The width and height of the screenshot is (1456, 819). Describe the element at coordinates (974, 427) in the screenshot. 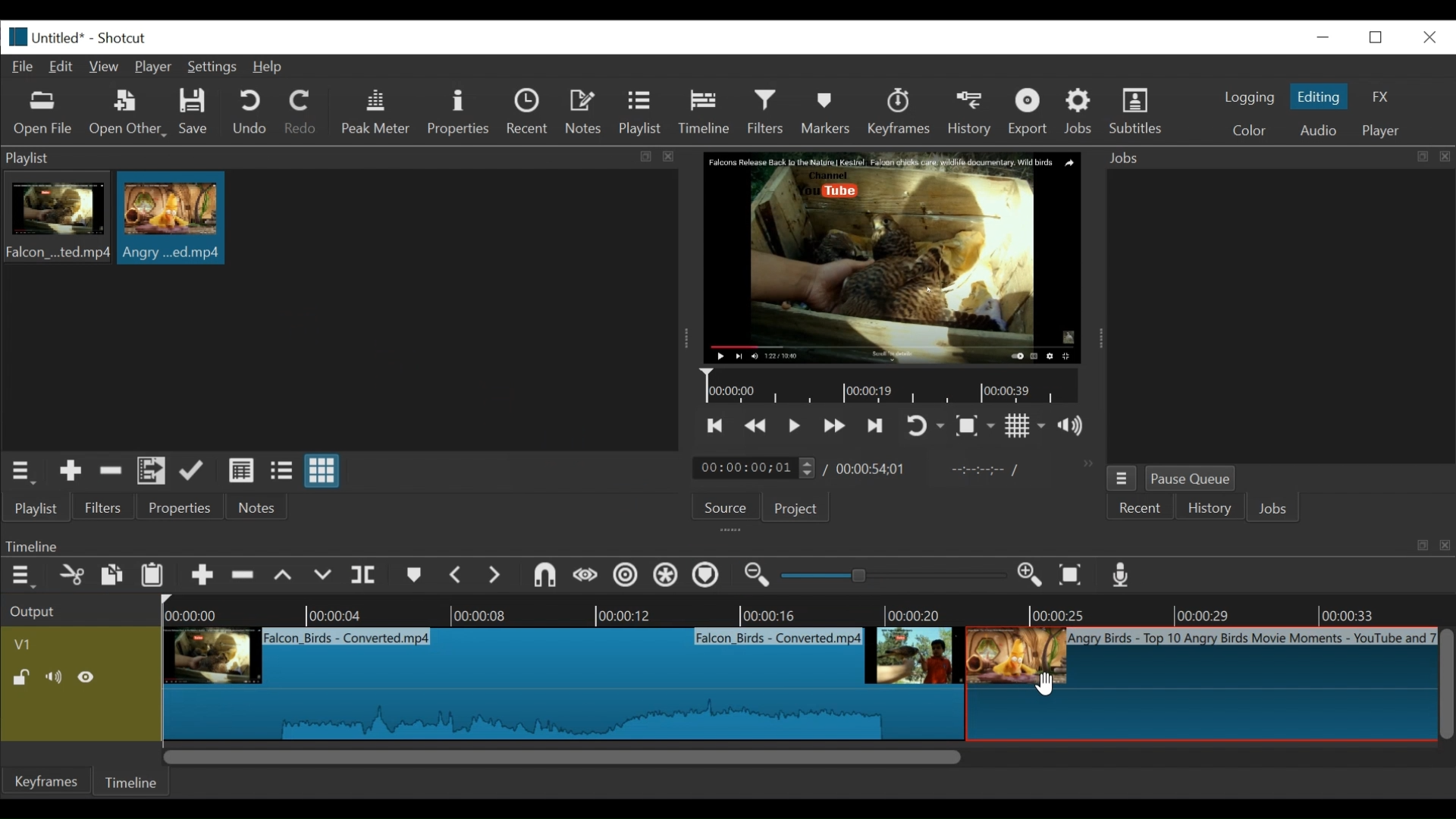

I see `Toggle zoom` at that location.